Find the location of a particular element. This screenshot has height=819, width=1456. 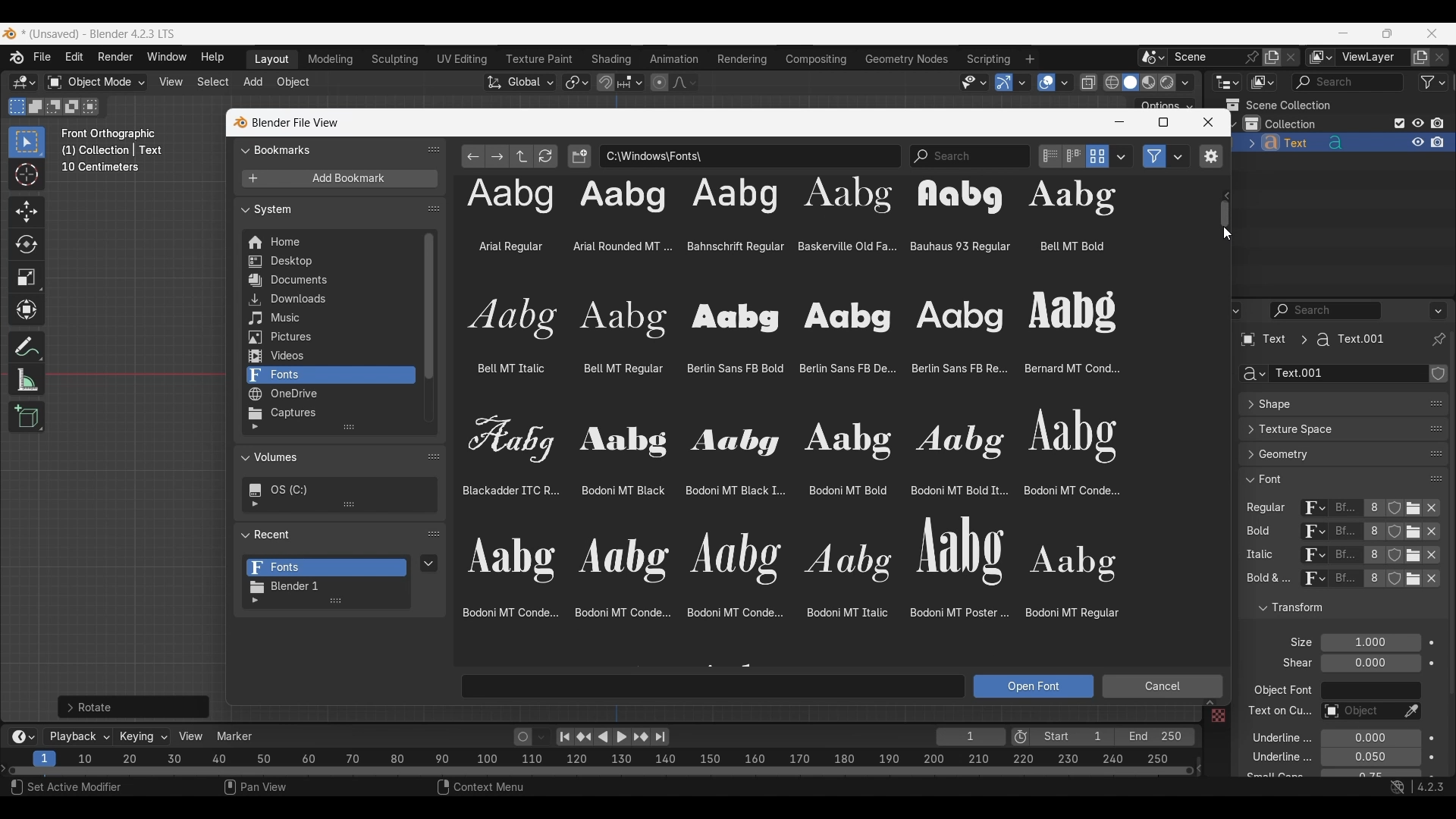

Next folder is located at coordinates (497, 156).